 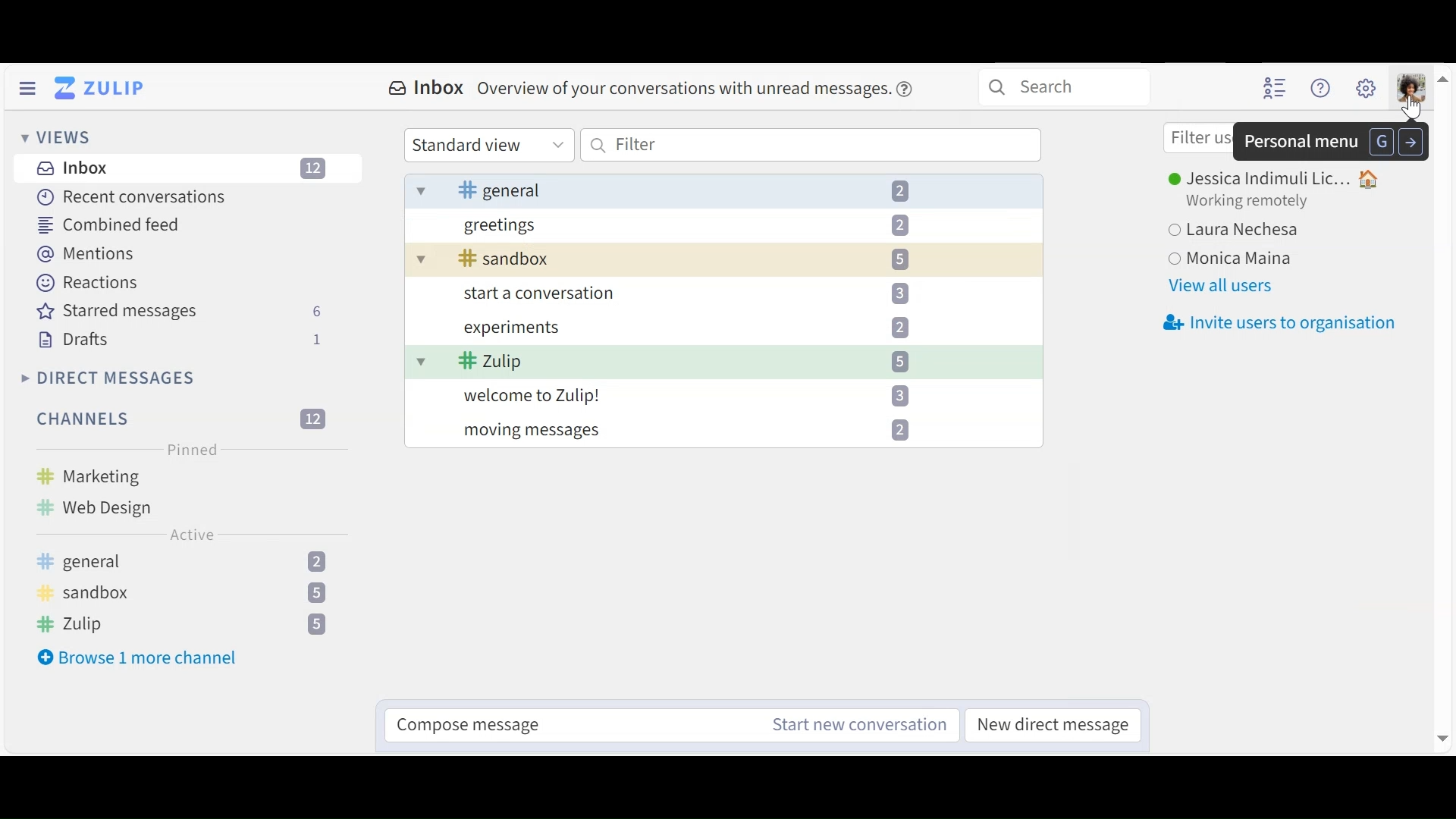 I want to click on 2, so click(x=901, y=225).